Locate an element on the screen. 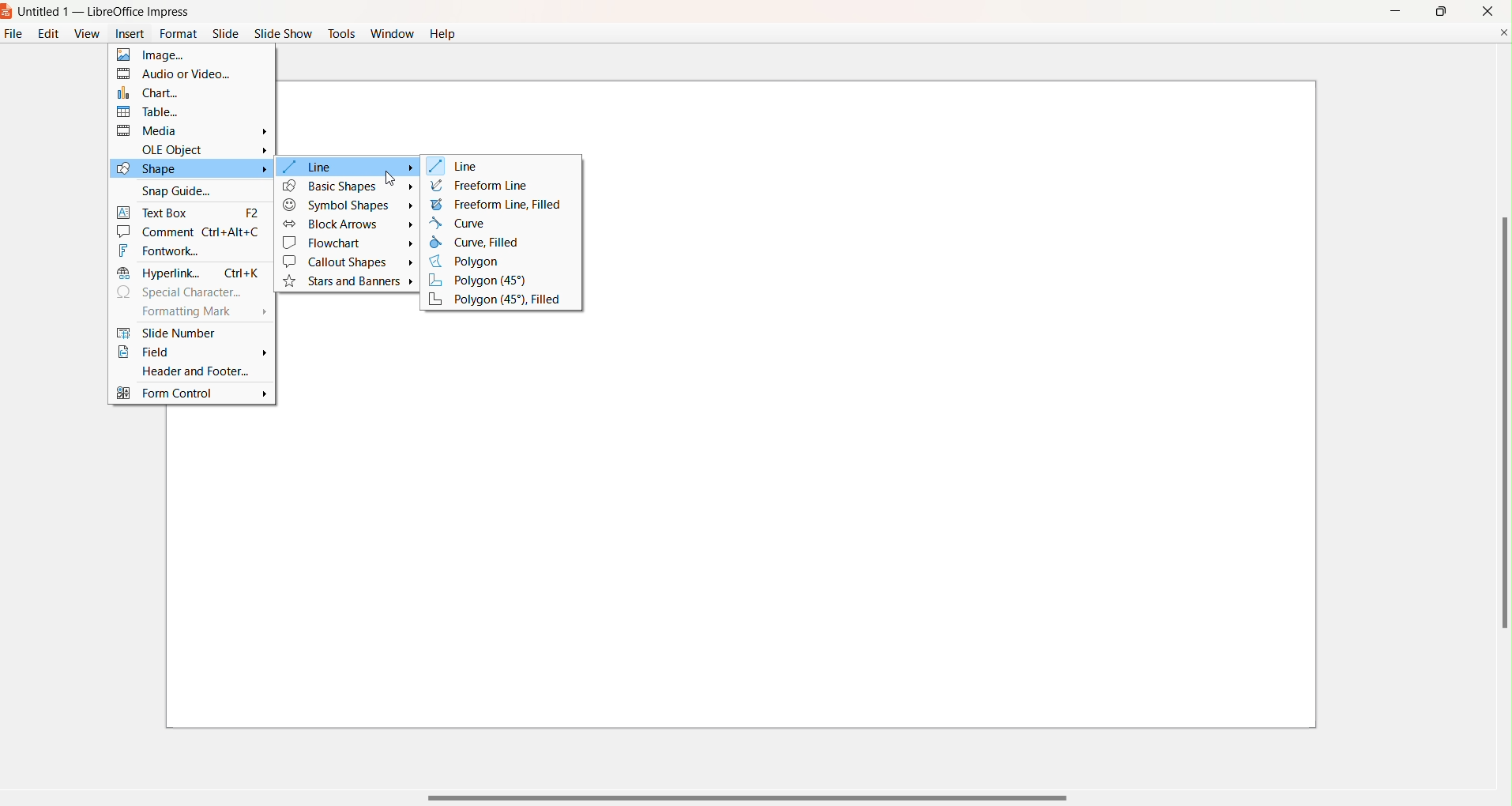  Line is located at coordinates (348, 167).